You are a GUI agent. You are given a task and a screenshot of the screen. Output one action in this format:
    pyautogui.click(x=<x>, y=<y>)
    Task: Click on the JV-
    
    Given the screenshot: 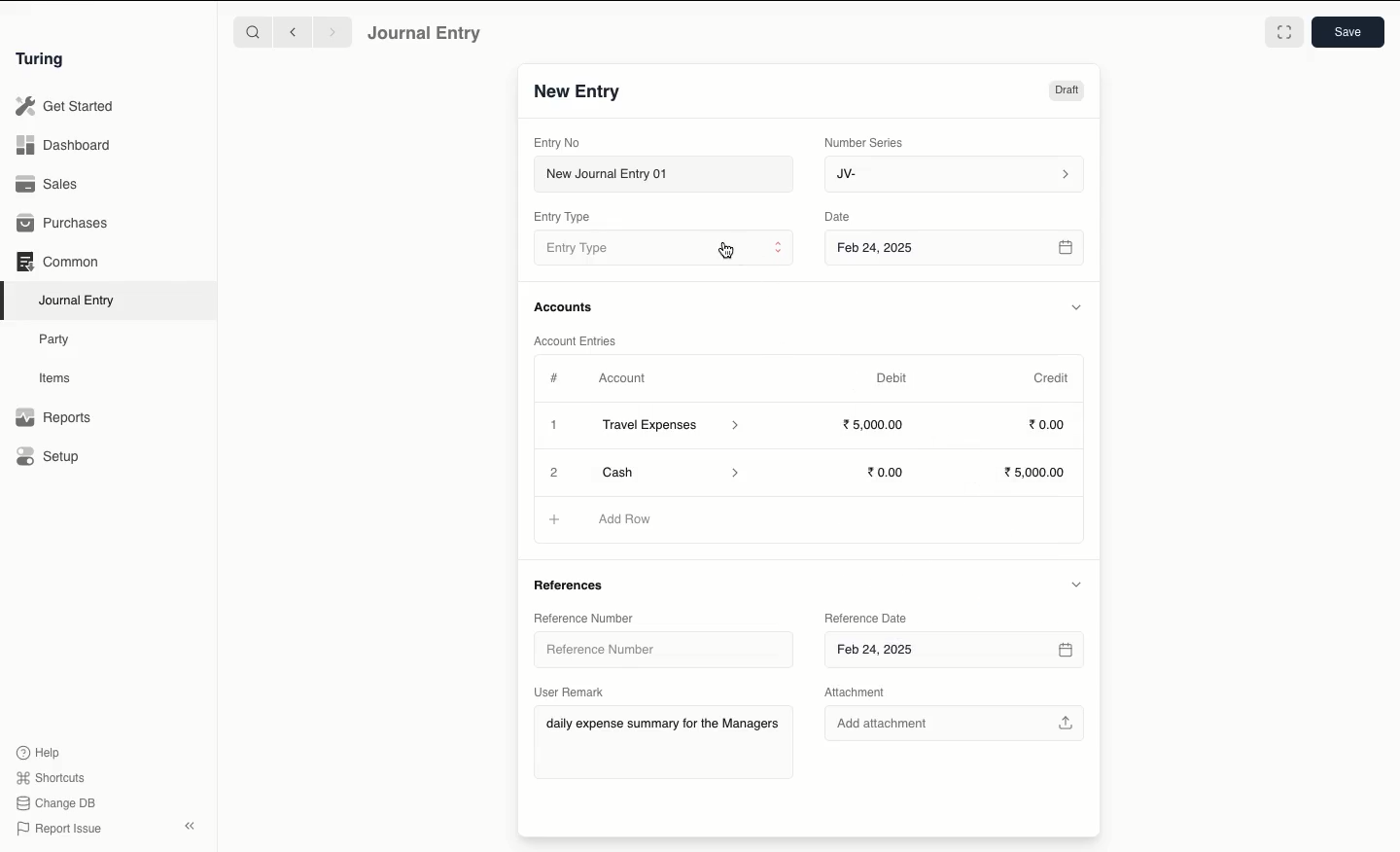 What is the action you would take?
    pyautogui.click(x=956, y=175)
    